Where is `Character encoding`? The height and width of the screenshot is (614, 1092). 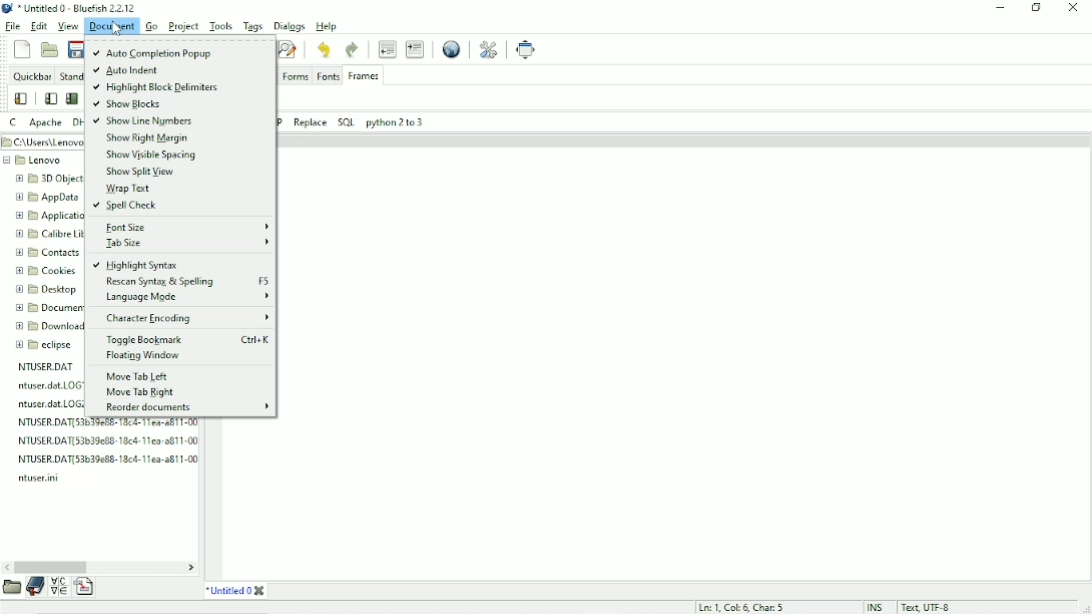
Character encoding is located at coordinates (185, 318).